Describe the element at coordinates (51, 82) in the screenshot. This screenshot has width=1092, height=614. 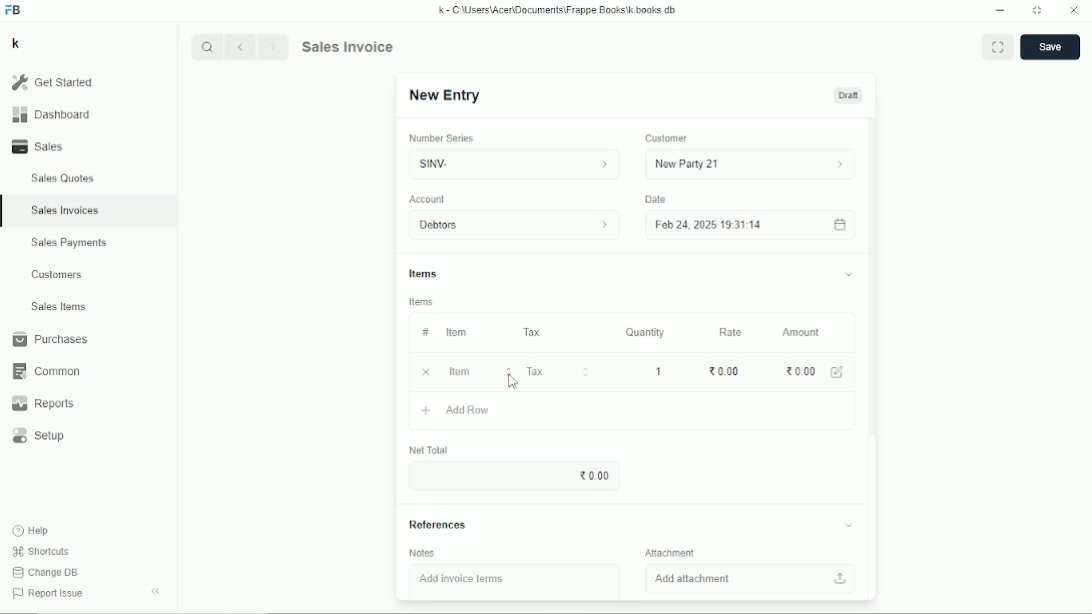
I see `Get started` at that location.